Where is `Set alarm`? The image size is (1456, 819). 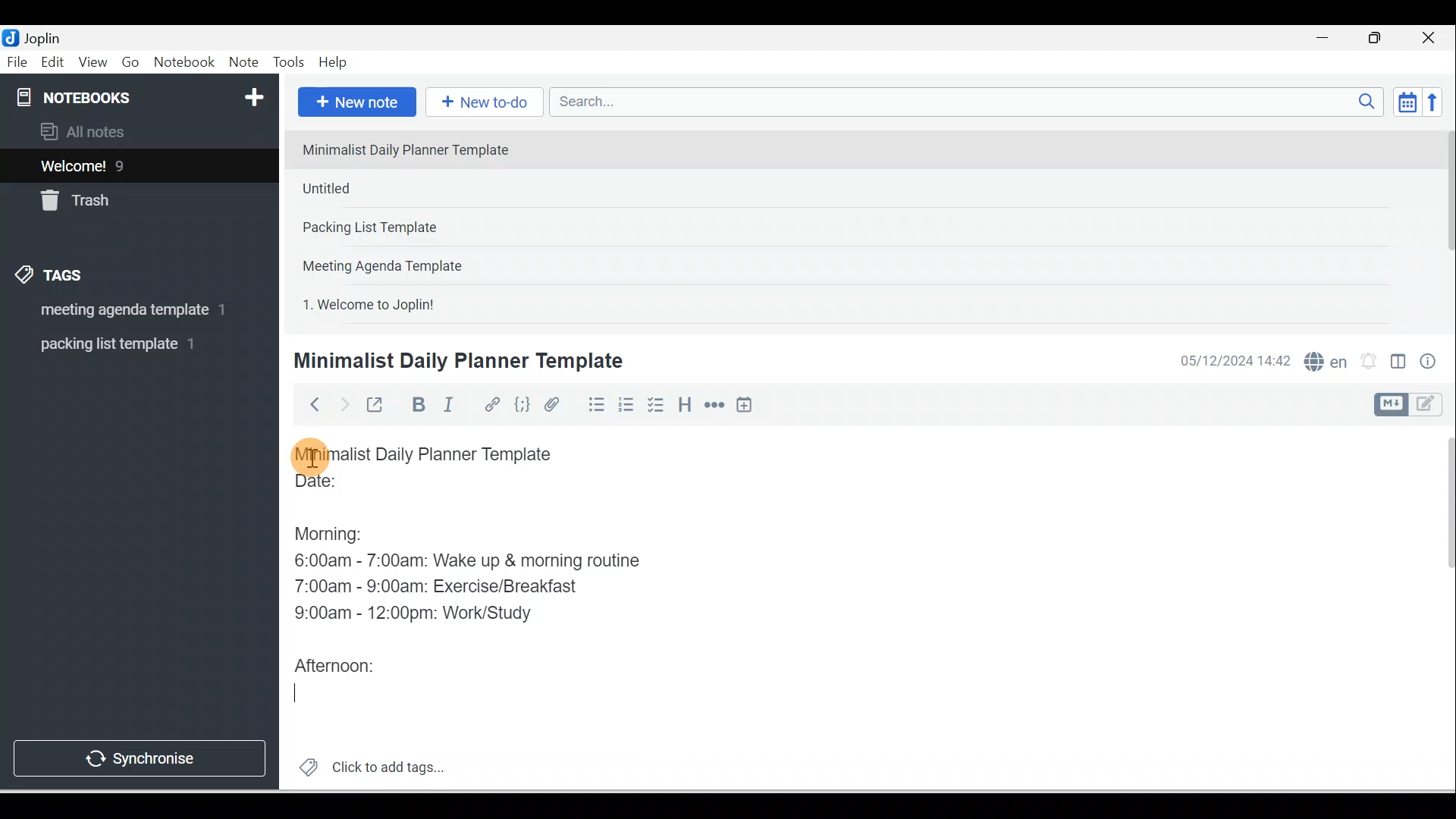
Set alarm is located at coordinates (1367, 362).